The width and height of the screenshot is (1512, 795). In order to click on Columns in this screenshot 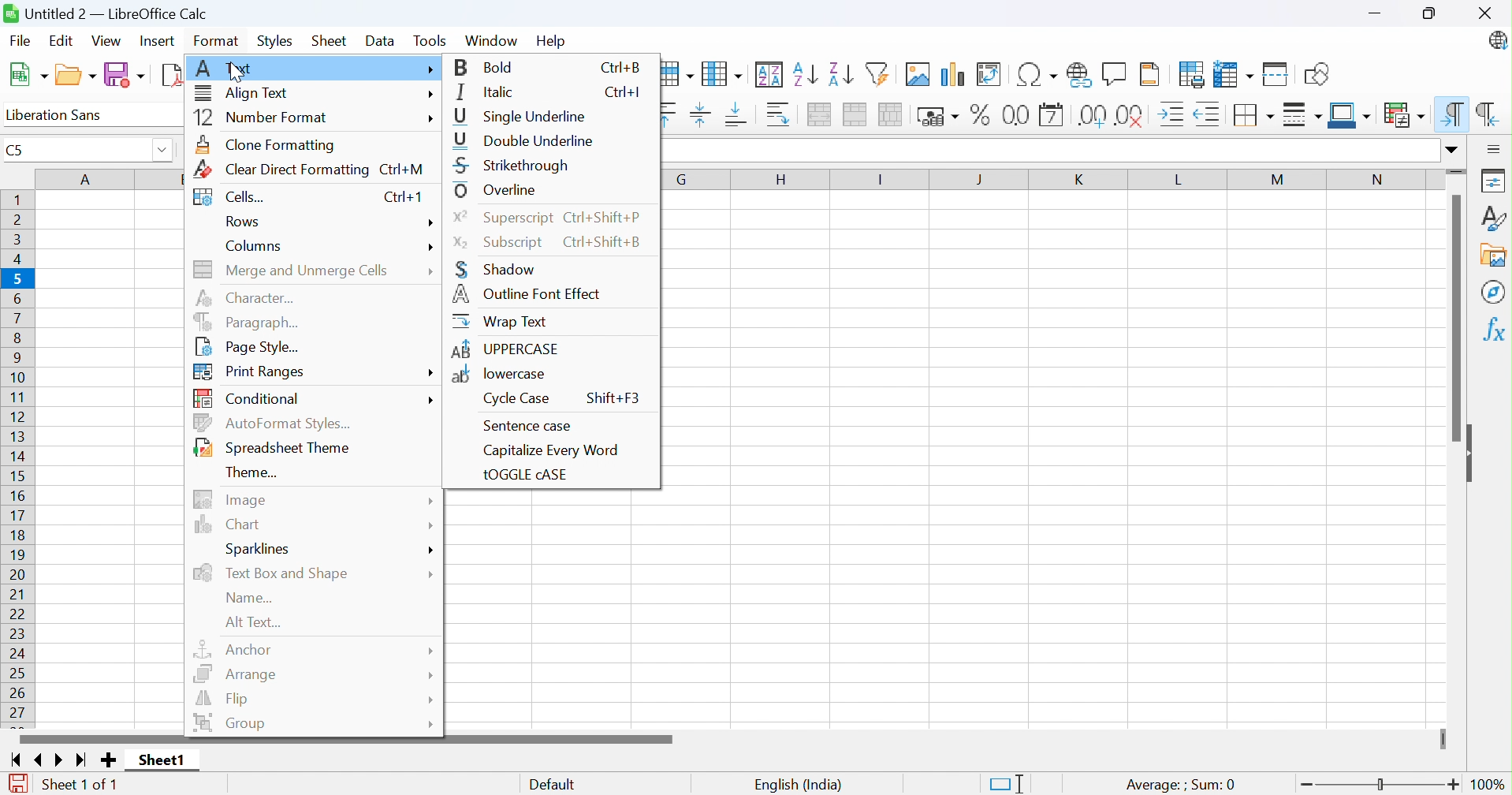, I will do `click(255, 244)`.